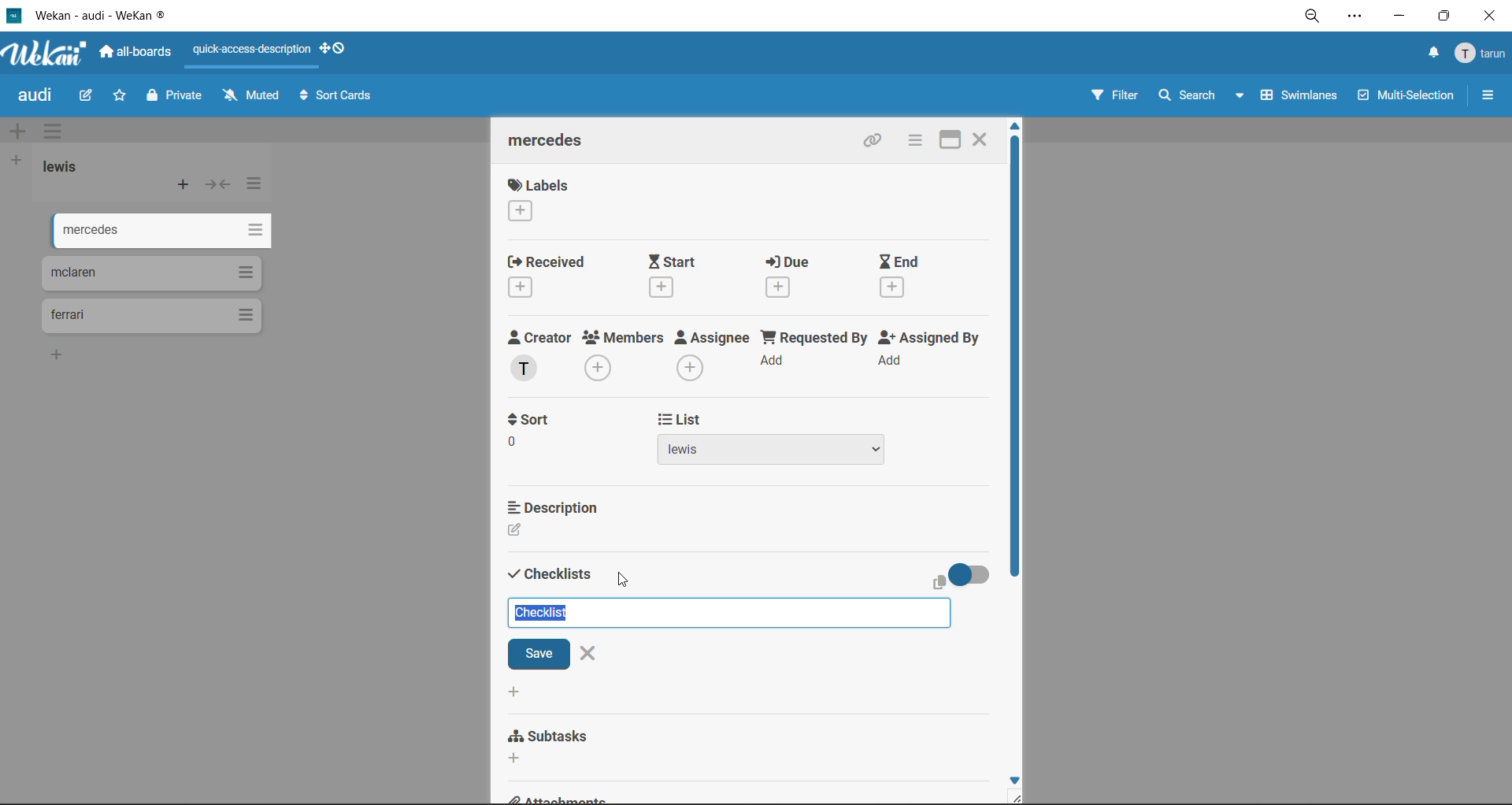  What do you see at coordinates (1440, 20) in the screenshot?
I see `maximize` at bounding box center [1440, 20].